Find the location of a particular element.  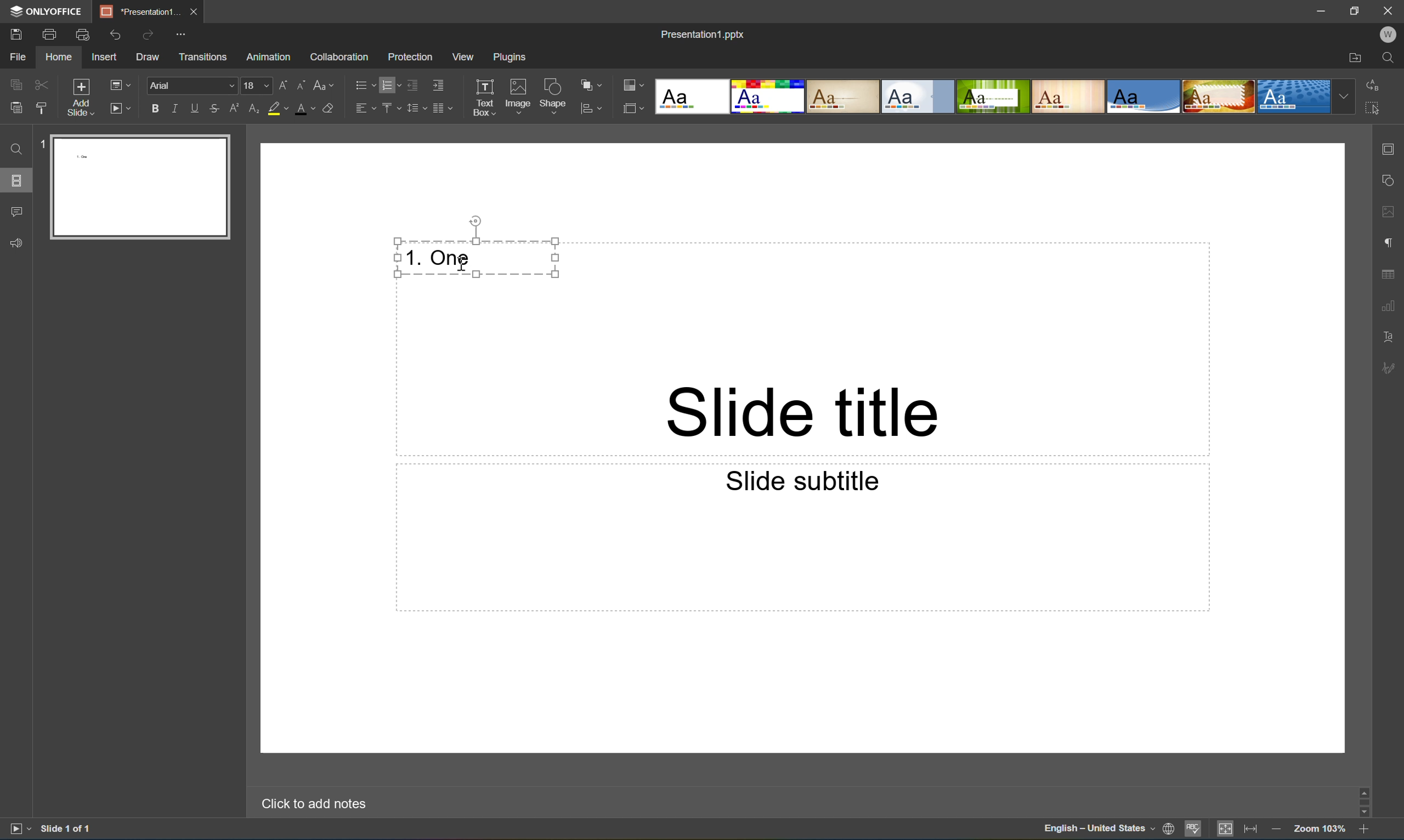

Paste is located at coordinates (16, 108).